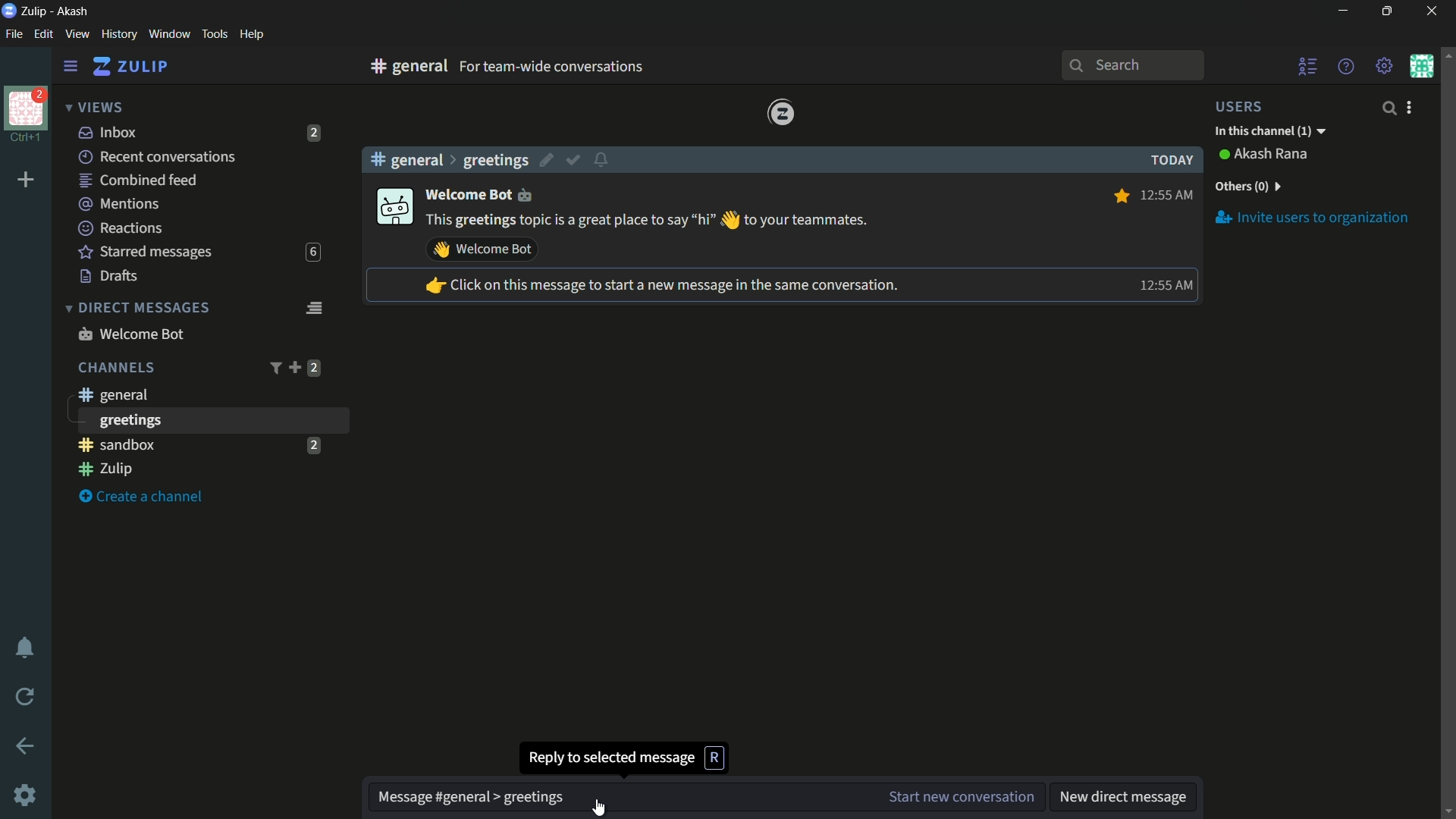 The image size is (1456, 819). Describe the element at coordinates (406, 159) in the screenshot. I see `# general` at that location.